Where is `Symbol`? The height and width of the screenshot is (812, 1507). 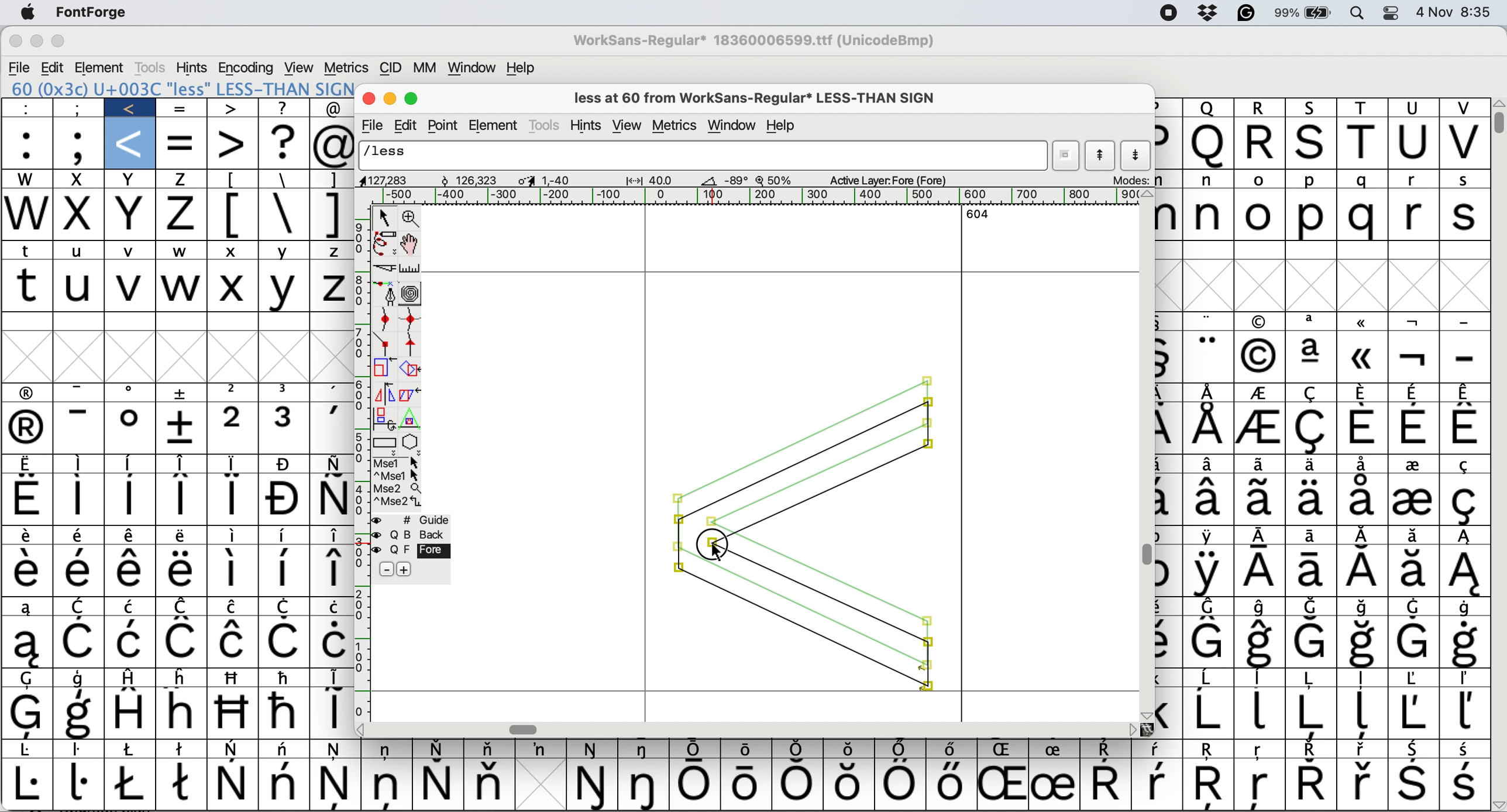 Symbol is located at coordinates (1264, 573).